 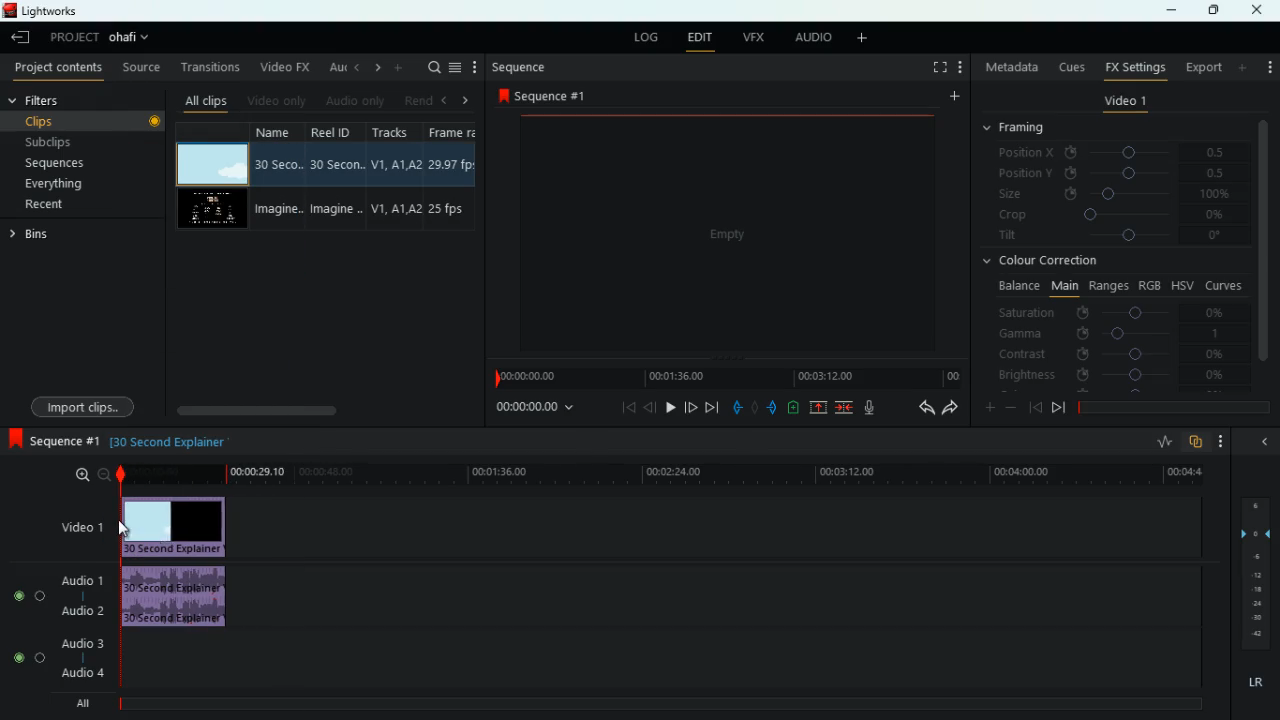 What do you see at coordinates (78, 702) in the screenshot?
I see `all` at bounding box center [78, 702].